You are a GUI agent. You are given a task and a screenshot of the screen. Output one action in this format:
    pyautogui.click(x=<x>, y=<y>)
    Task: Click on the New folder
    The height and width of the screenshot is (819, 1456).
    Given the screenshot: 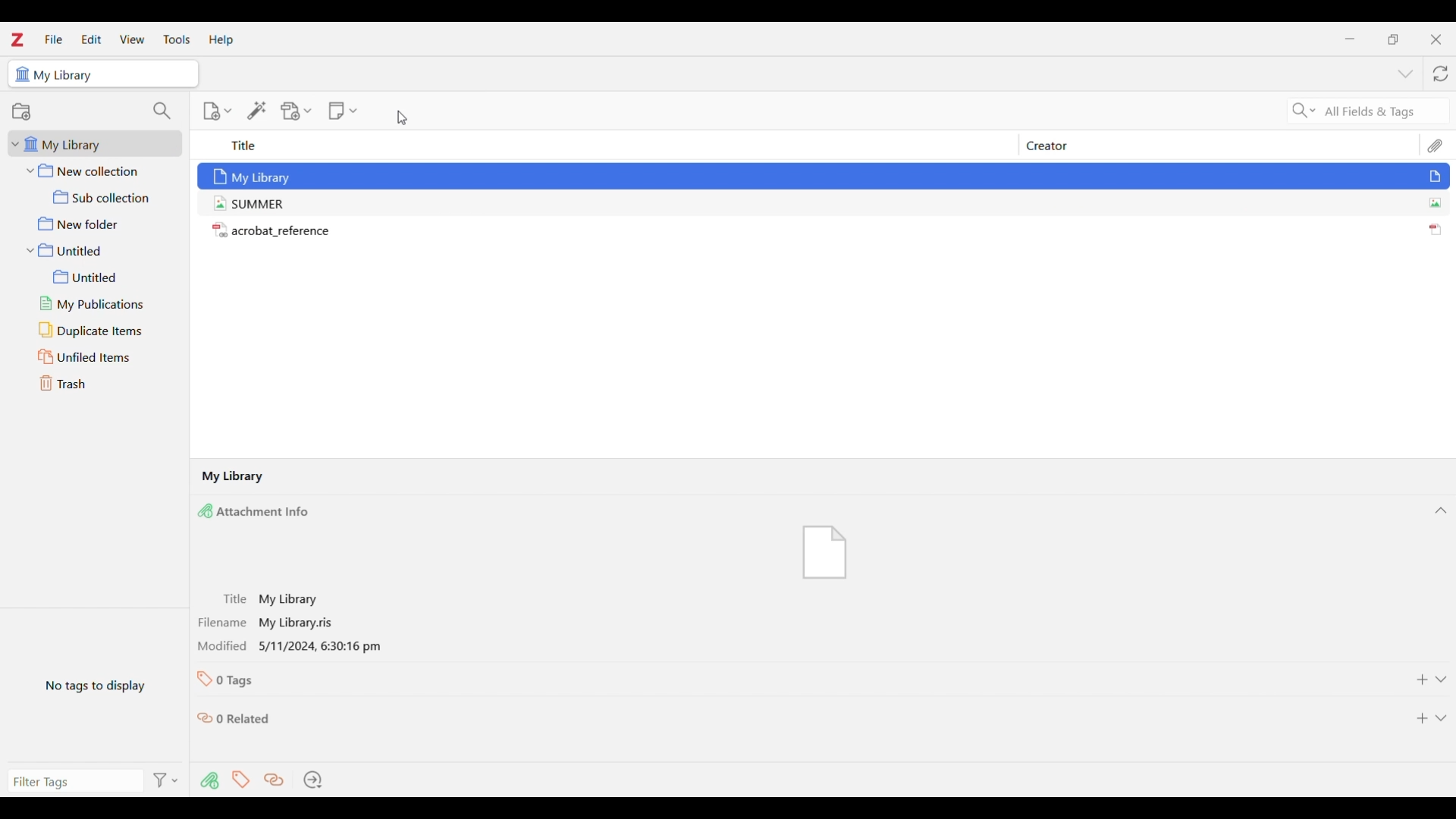 What is the action you would take?
    pyautogui.click(x=94, y=222)
    